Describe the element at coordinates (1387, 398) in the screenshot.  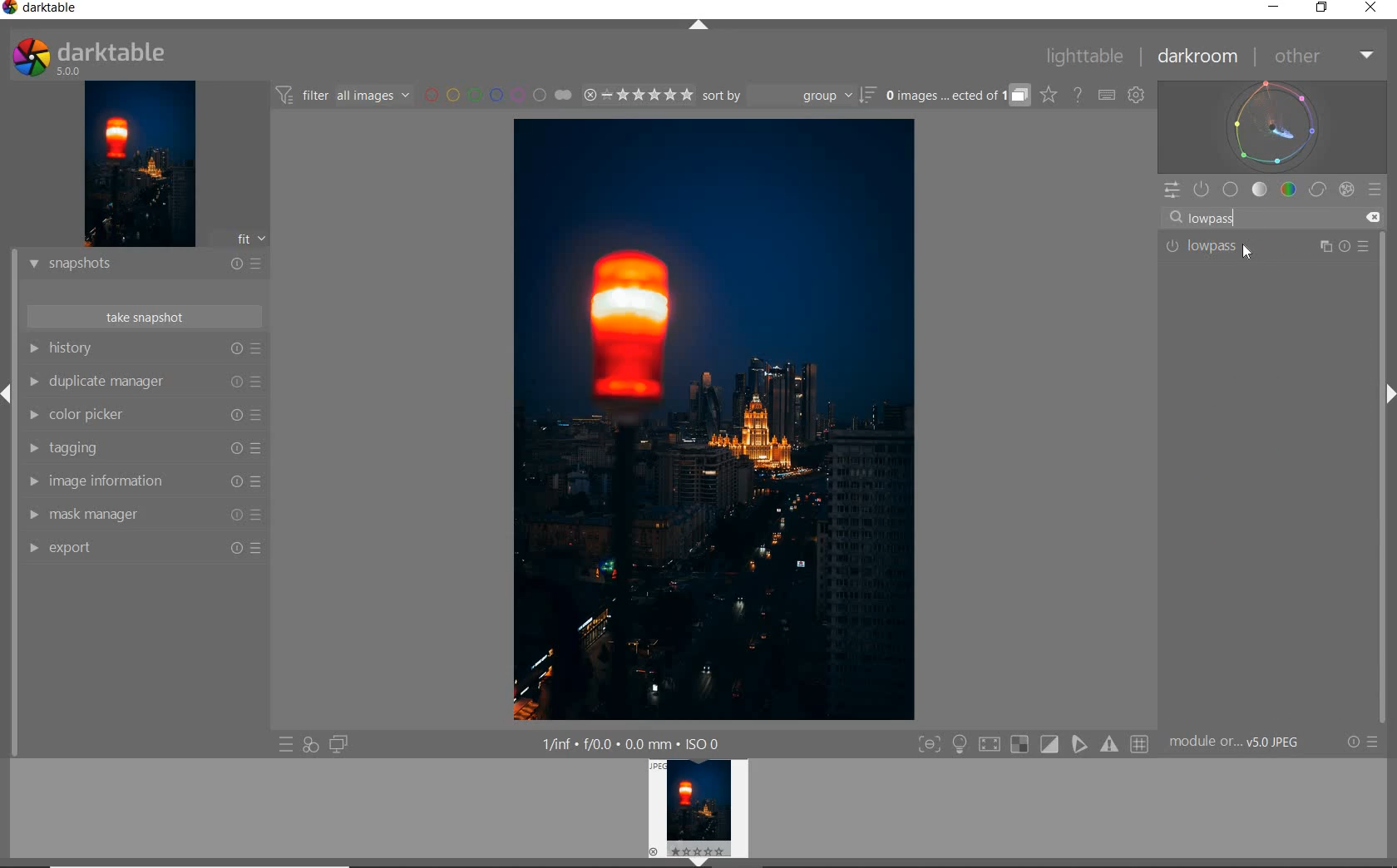
I see `expand/collapse` at that location.